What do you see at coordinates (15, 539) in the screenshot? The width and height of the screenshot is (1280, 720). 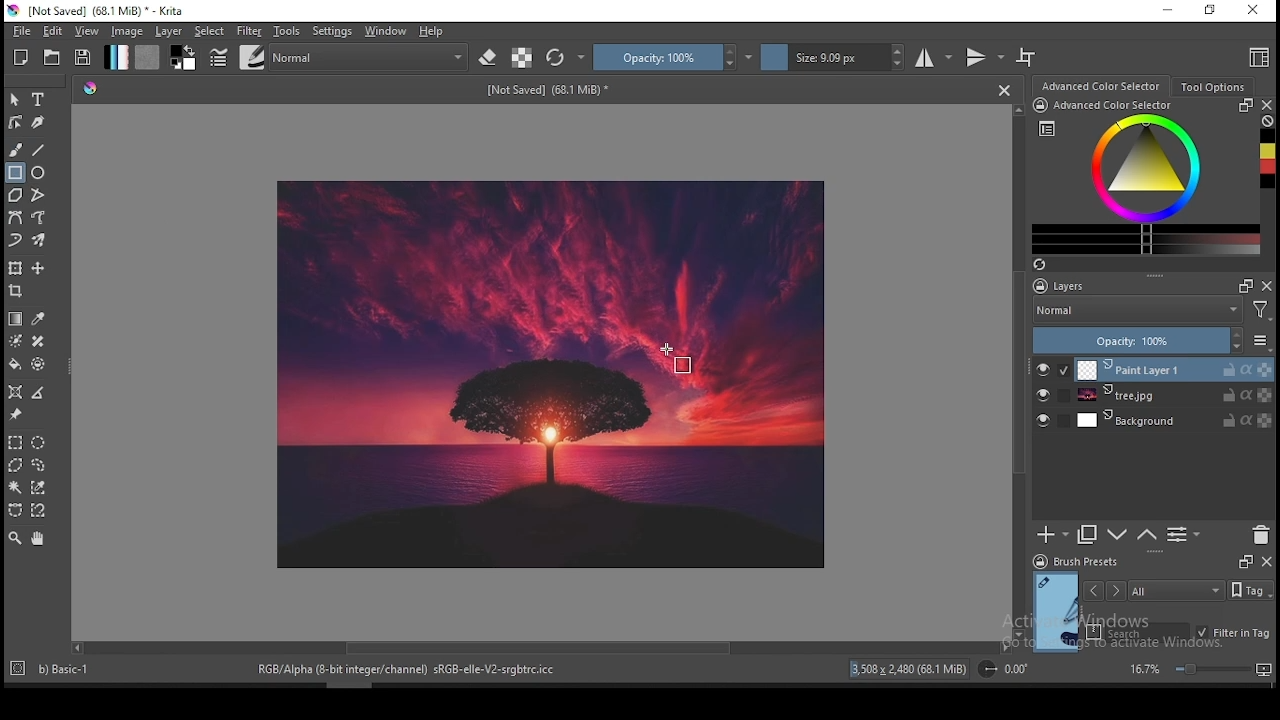 I see `zoom tool` at bounding box center [15, 539].